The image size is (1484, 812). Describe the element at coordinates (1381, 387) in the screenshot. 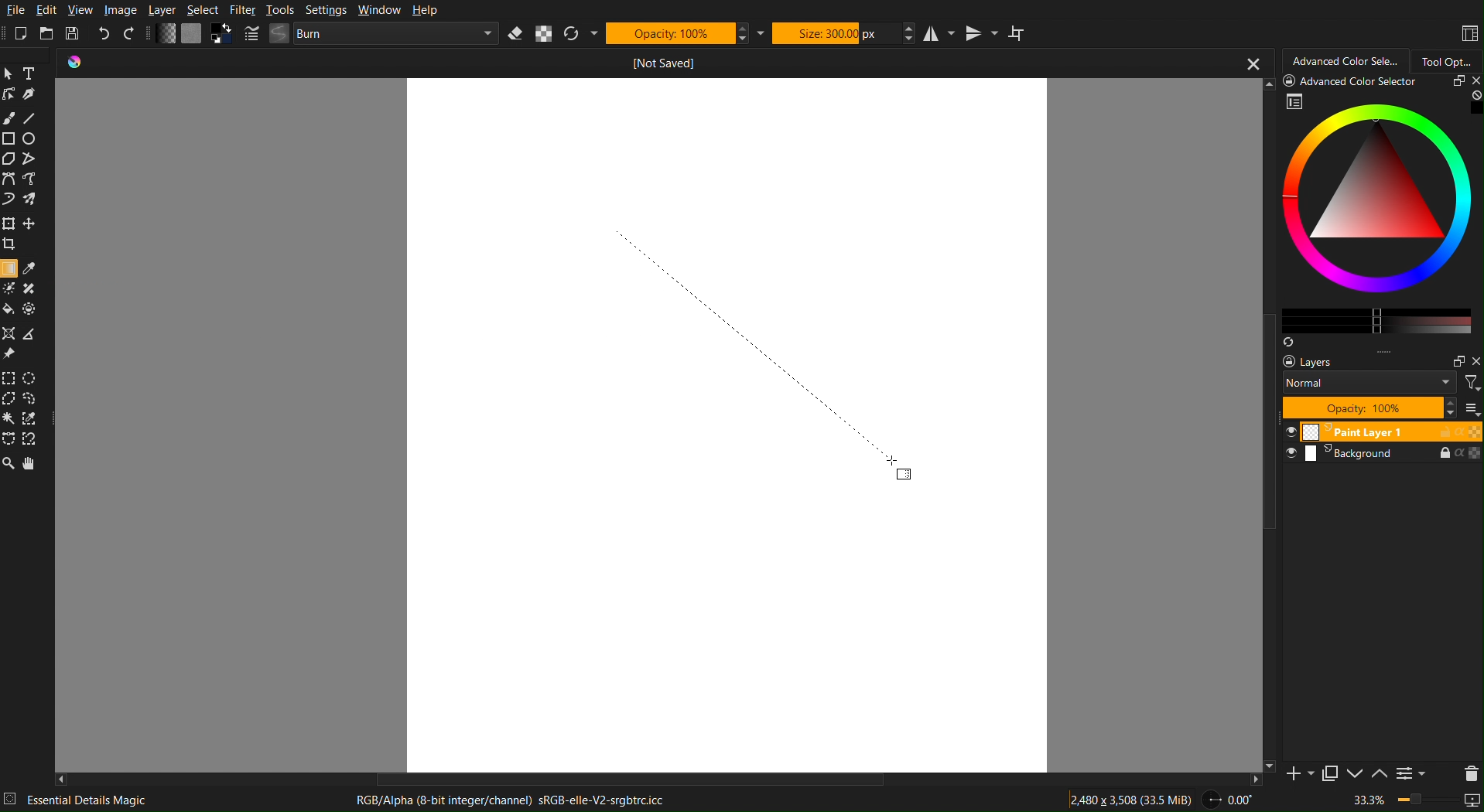

I see `Layer Settings` at that location.